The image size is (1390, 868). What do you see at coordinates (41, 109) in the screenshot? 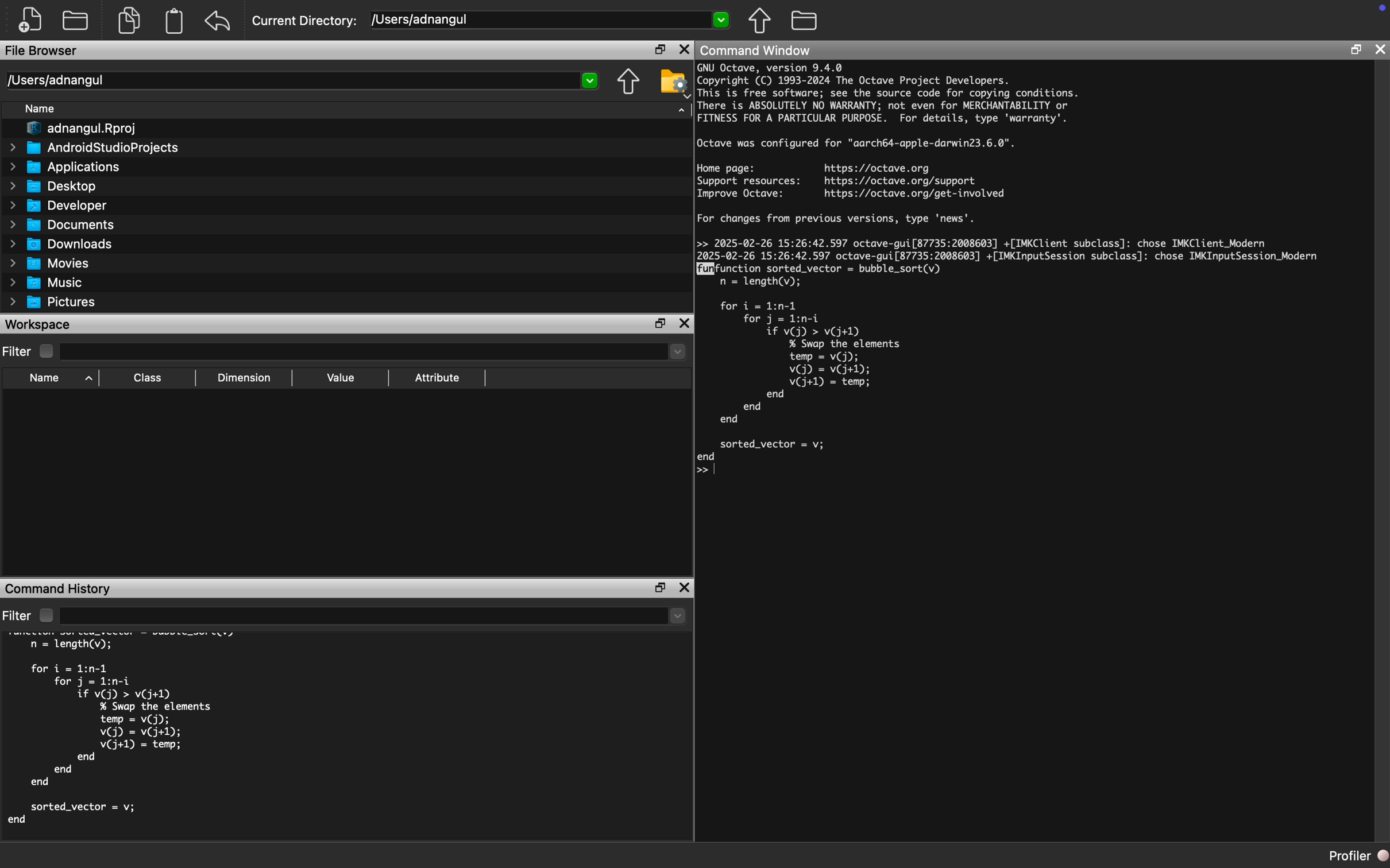
I see `Name` at bounding box center [41, 109].